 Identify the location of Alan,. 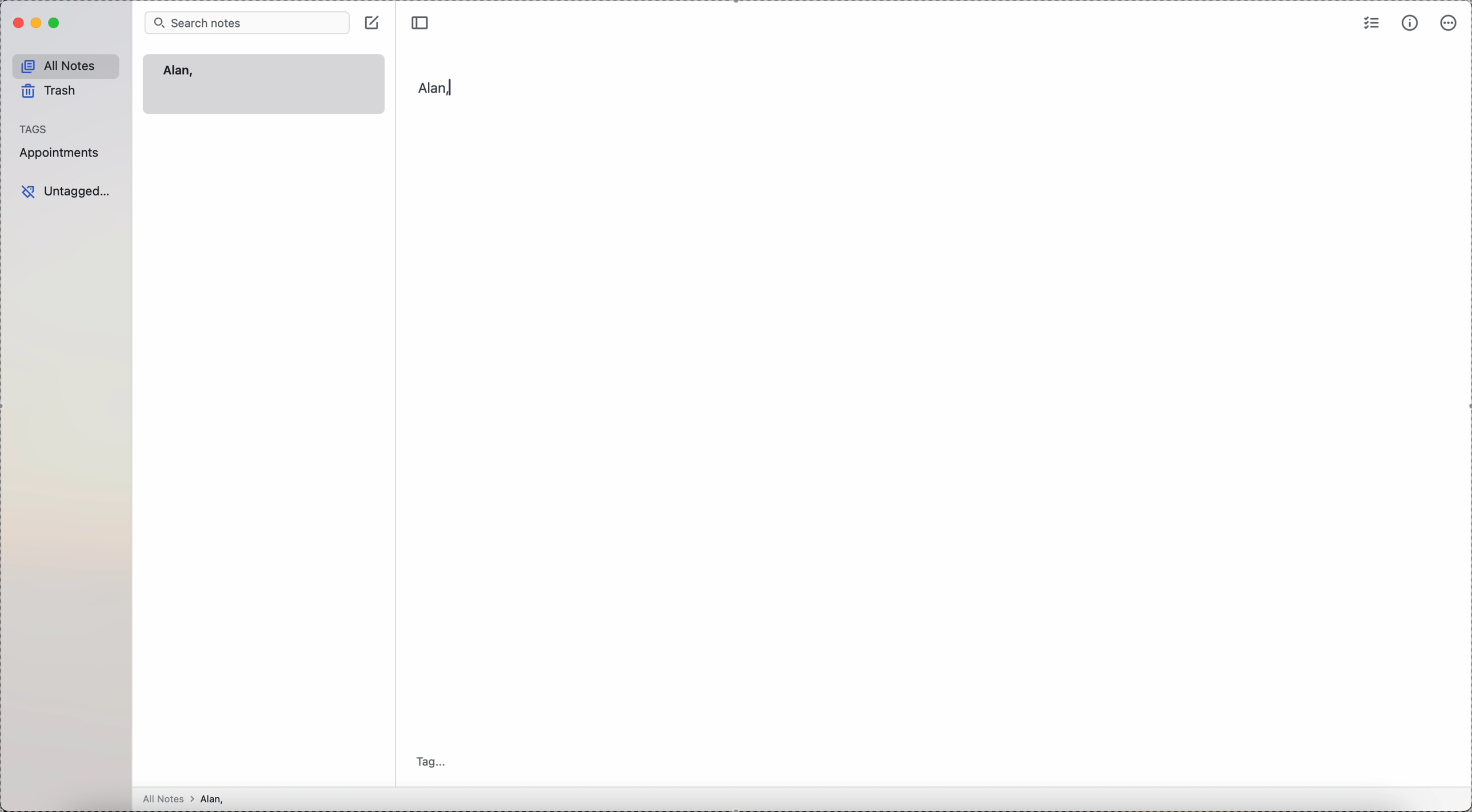
(437, 87).